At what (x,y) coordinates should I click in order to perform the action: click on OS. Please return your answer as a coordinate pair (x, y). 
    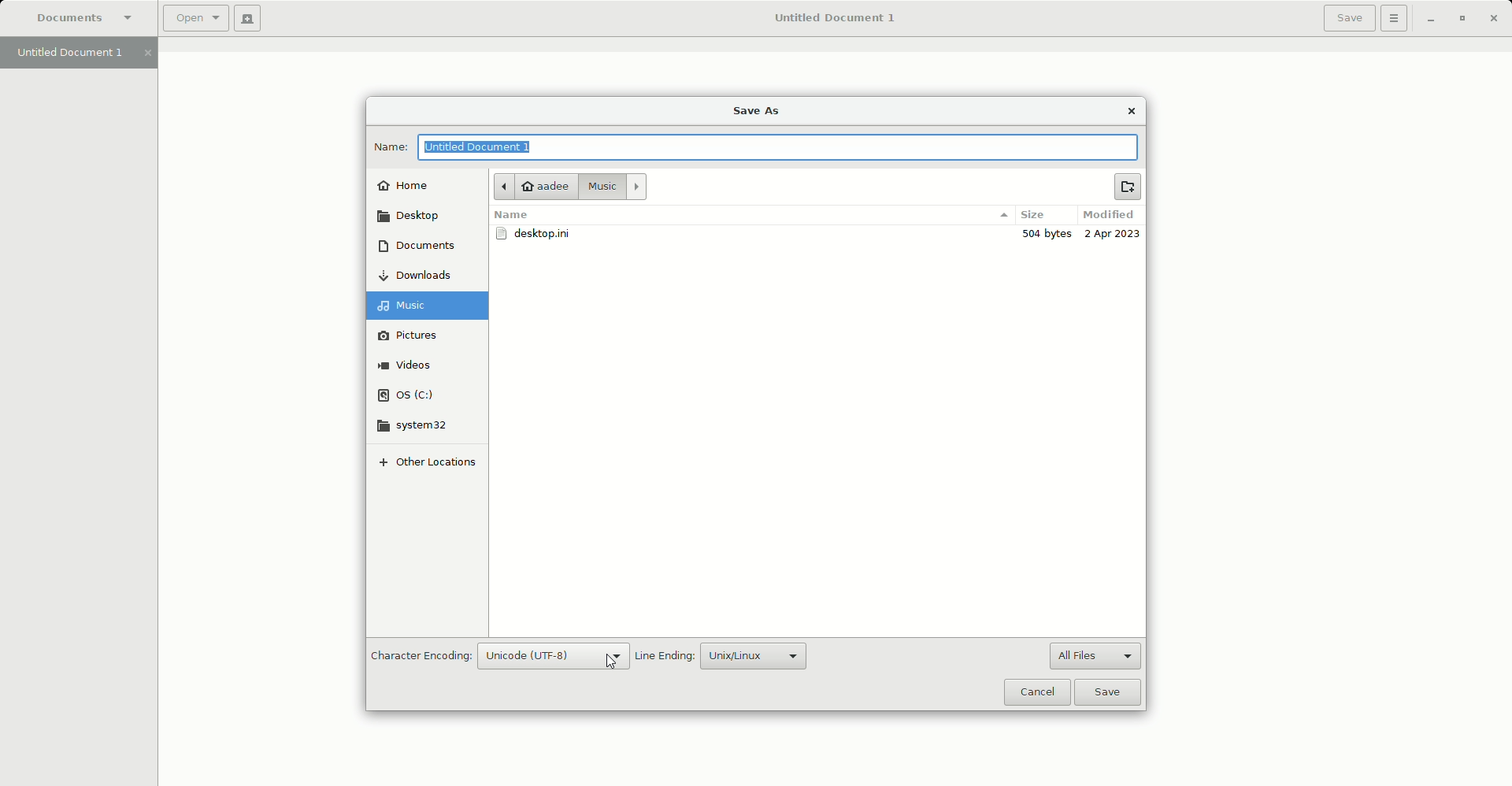
    Looking at the image, I should click on (421, 395).